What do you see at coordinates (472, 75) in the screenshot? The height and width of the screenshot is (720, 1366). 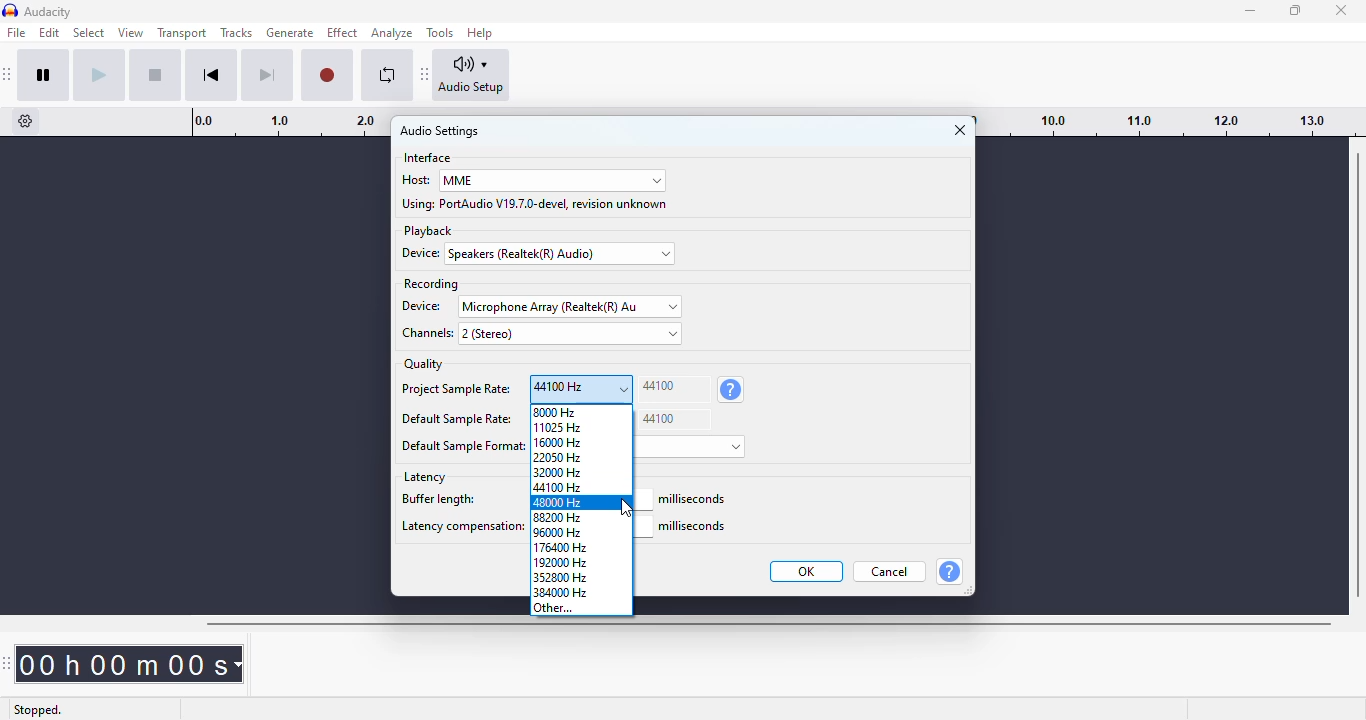 I see `audio setup` at bounding box center [472, 75].